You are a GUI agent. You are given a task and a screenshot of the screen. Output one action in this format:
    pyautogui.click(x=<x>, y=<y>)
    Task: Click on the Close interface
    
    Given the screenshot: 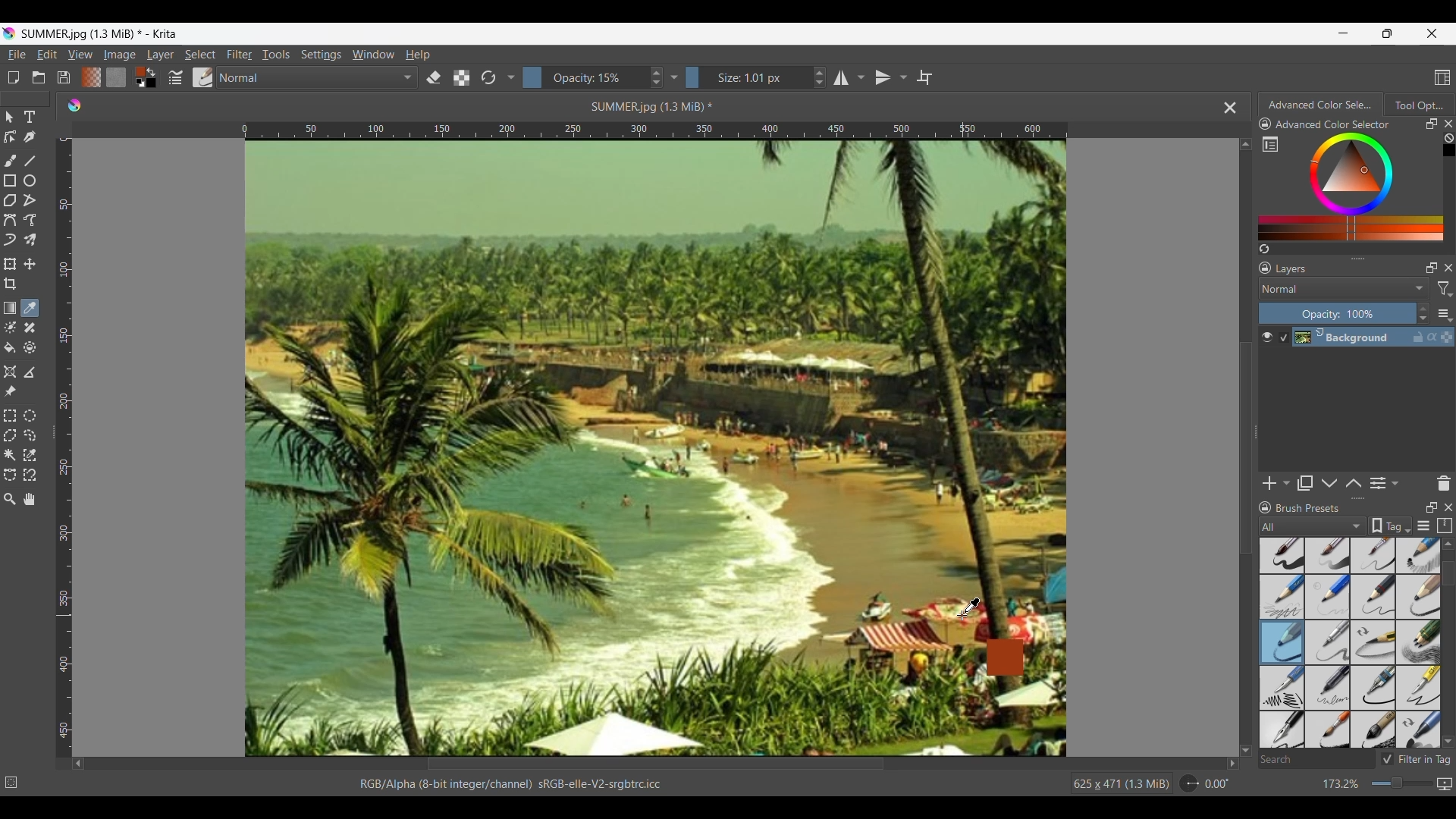 What is the action you would take?
    pyautogui.click(x=1432, y=33)
    